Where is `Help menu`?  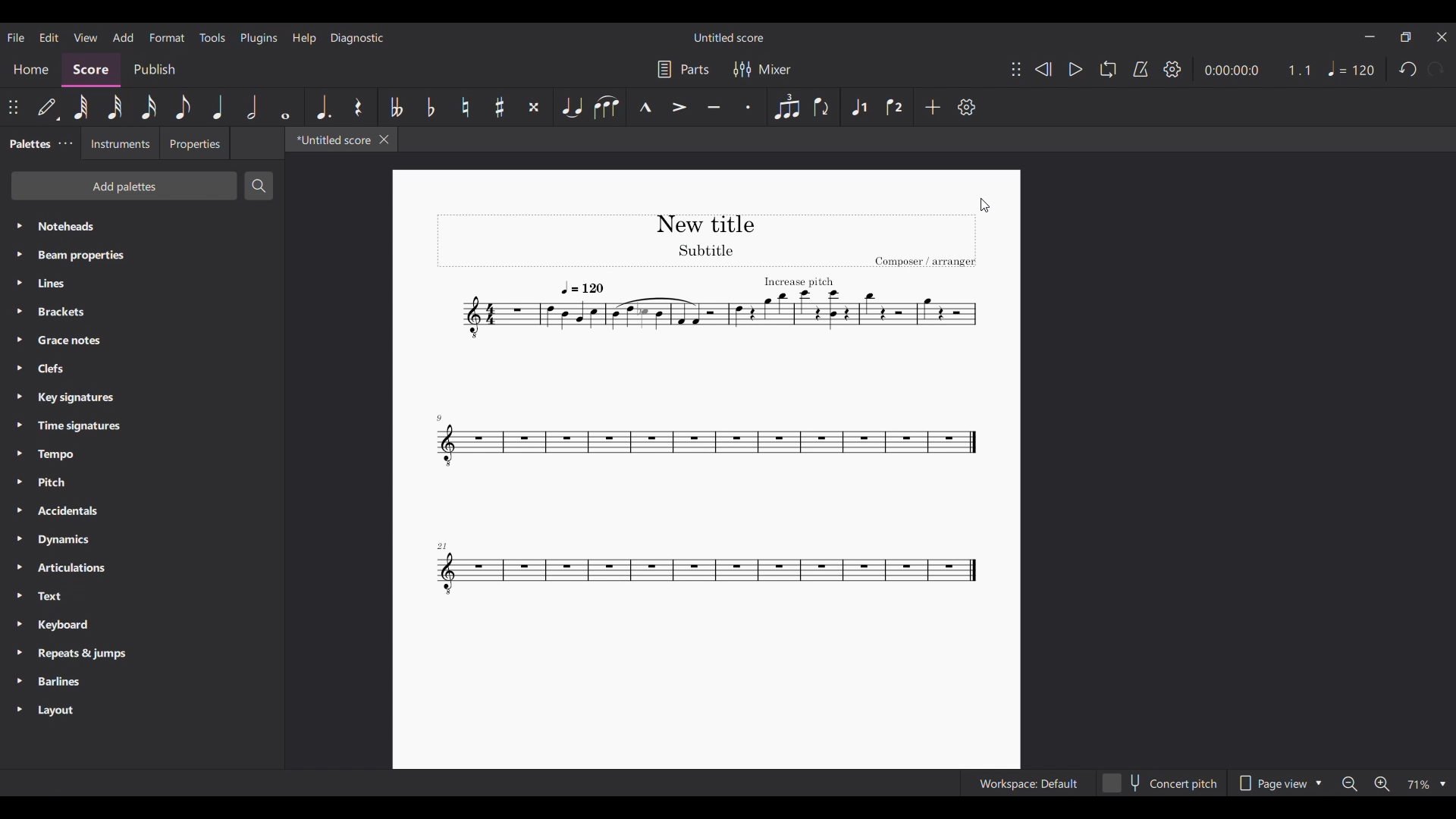 Help menu is located at coordinates (304, 39).